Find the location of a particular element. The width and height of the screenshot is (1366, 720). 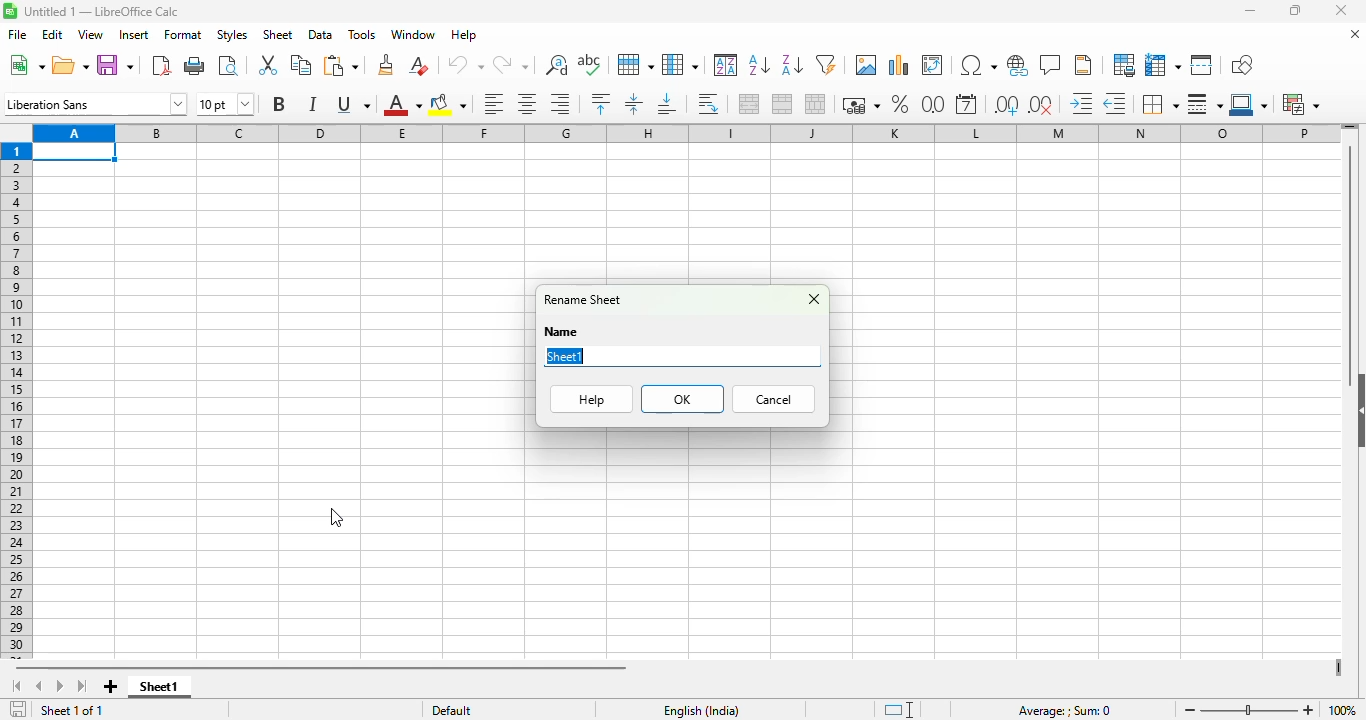

border color is located at coordinates (1250, 104).